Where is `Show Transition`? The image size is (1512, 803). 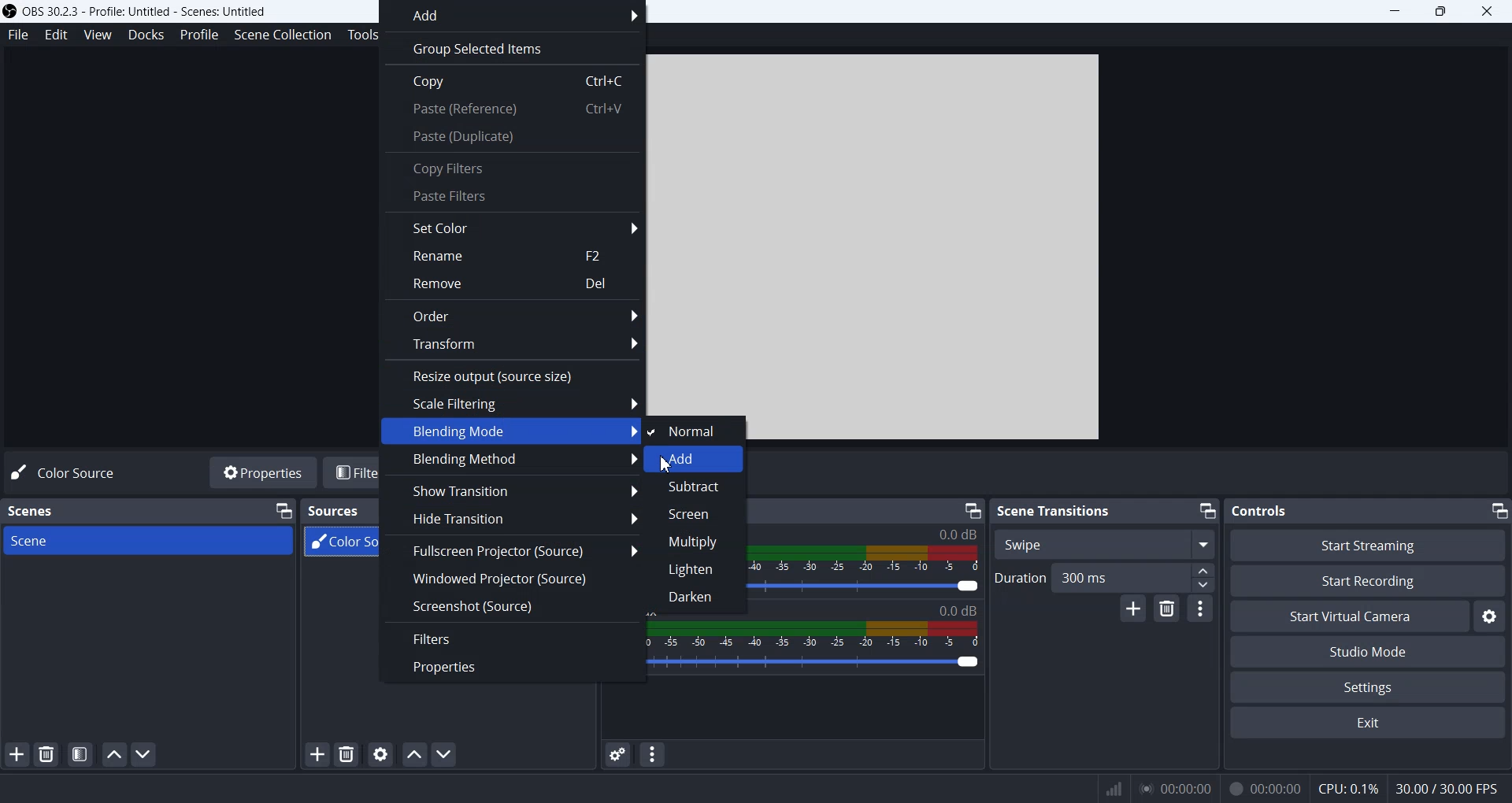
Show Transition is located at coordinates (512, 490).